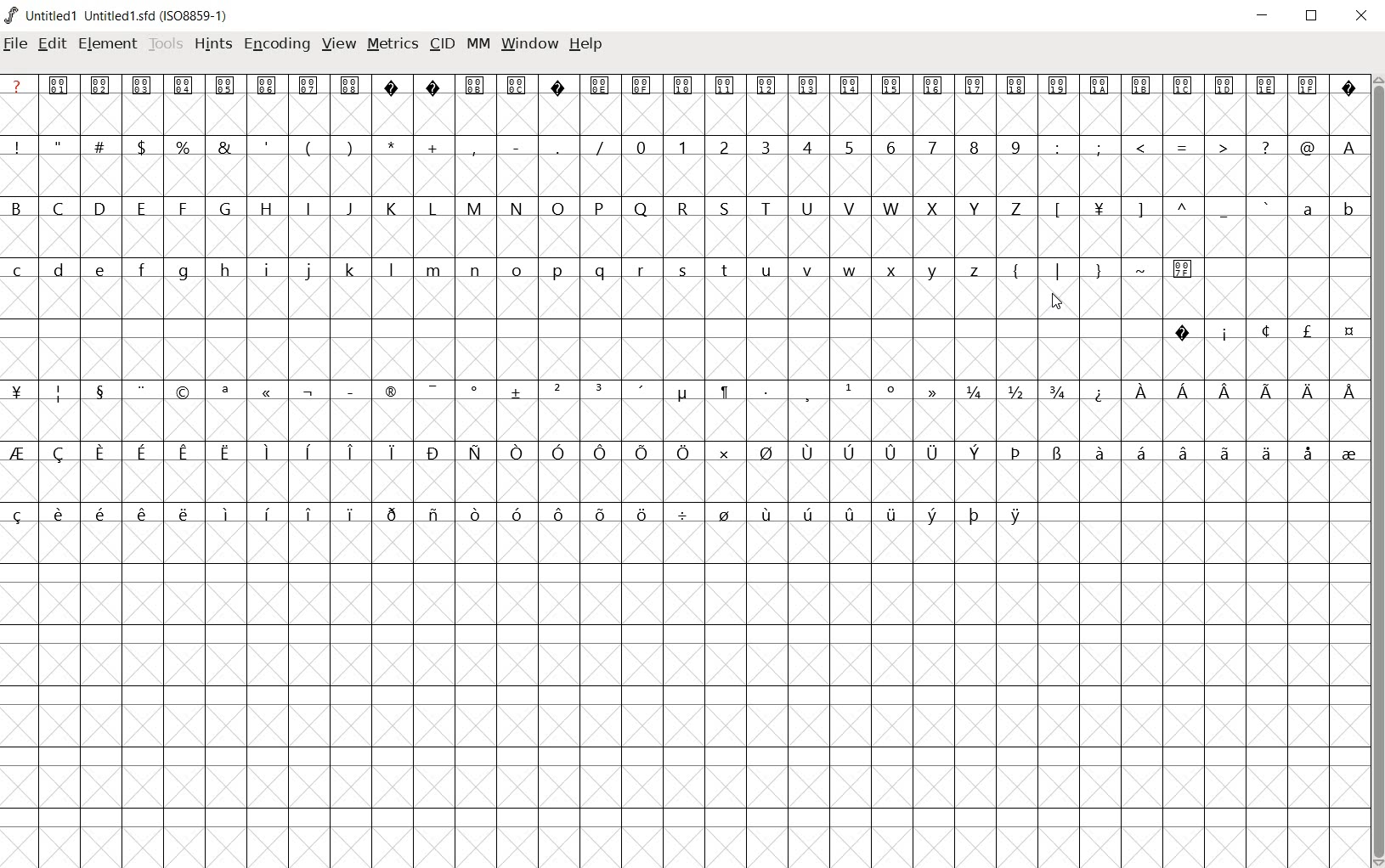 This screenshot has height=868, width=1385. Describe the element at coordinates (683, 116) in the screenshot. I see `empty cells` at that location.